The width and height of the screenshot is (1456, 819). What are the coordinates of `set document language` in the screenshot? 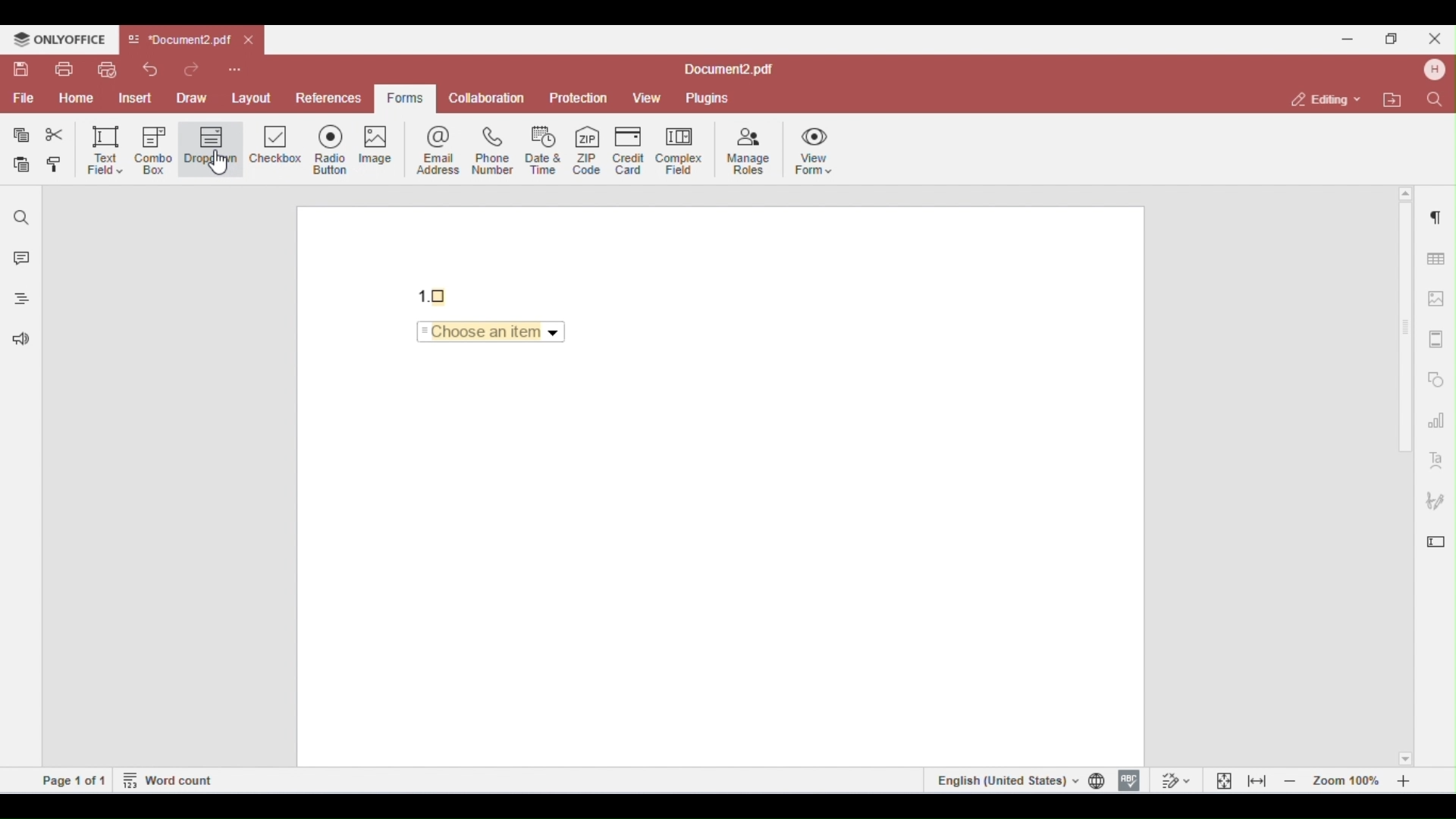 It's located at (1100, 780).